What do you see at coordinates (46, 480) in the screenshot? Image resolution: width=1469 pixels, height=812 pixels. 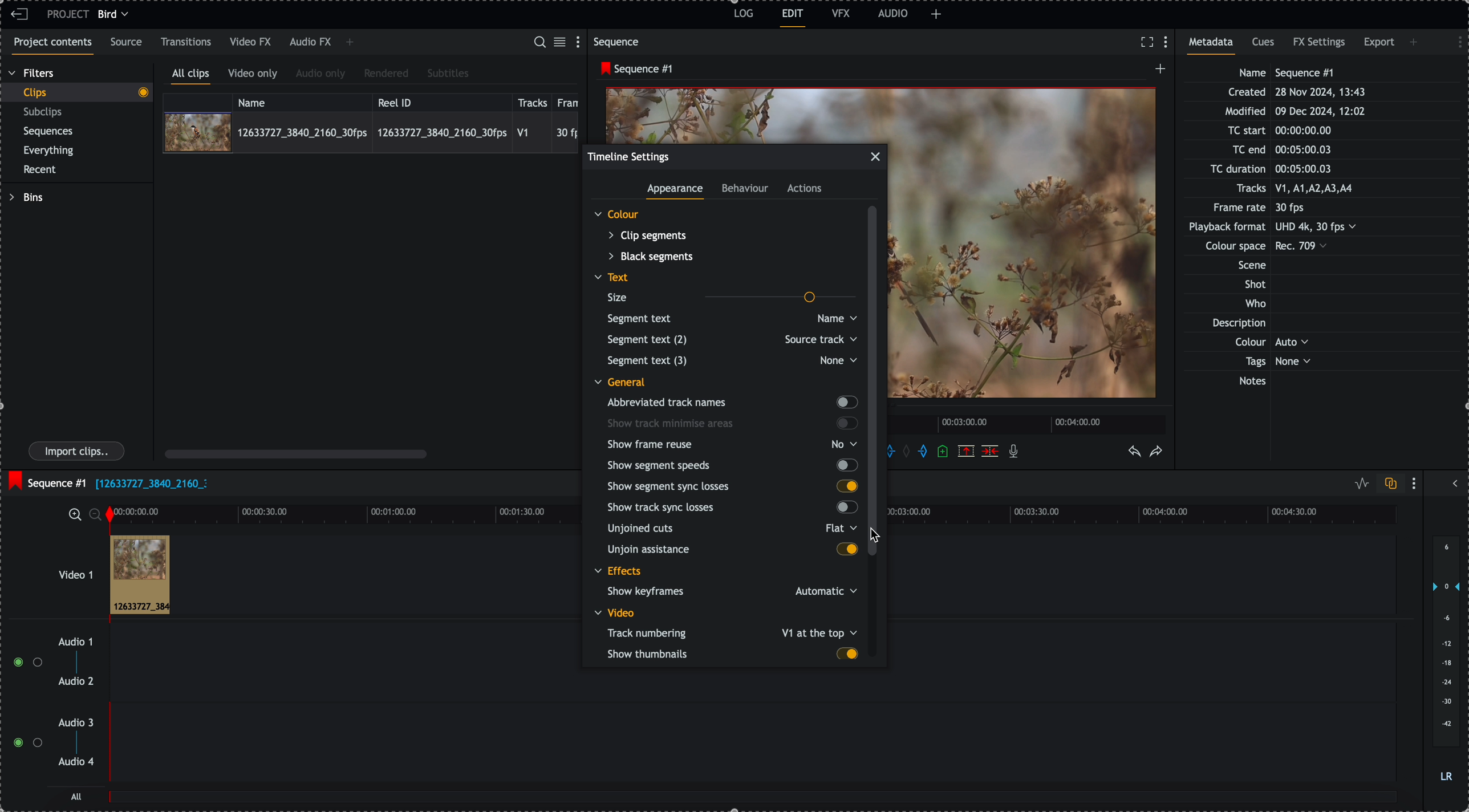 I see `sequence #1` at bounding box center [46, 480].